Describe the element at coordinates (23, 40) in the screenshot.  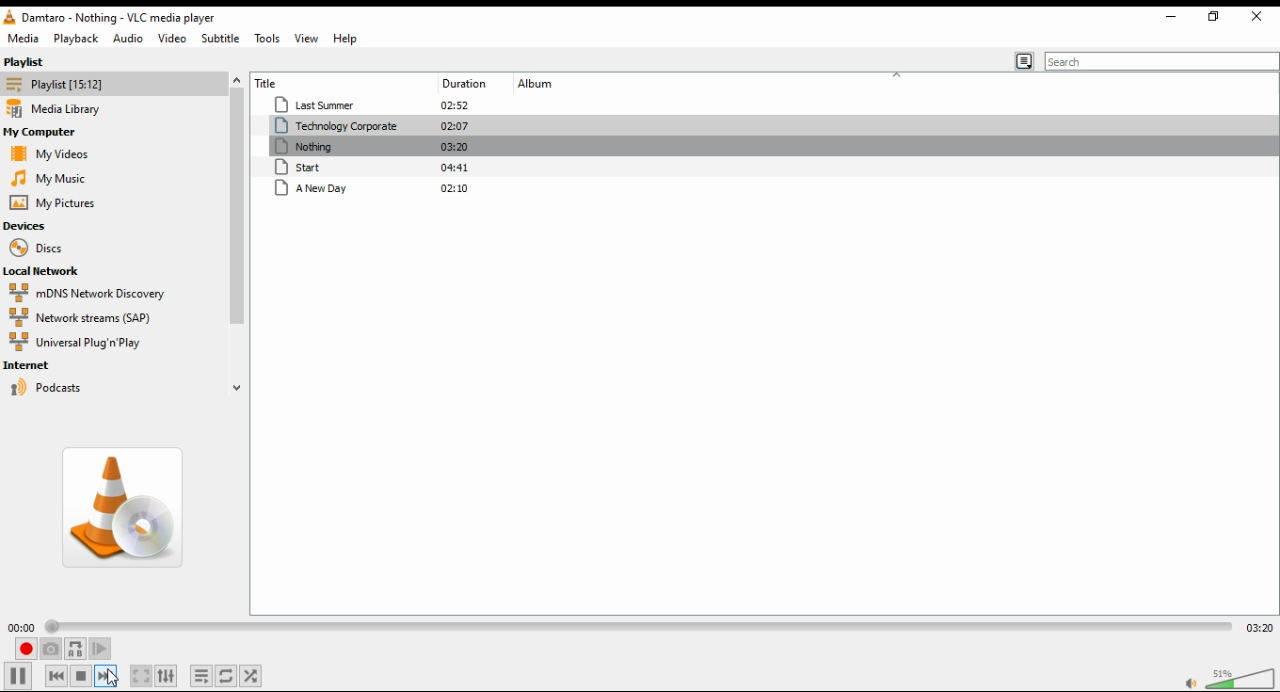
I see `media` at that location.